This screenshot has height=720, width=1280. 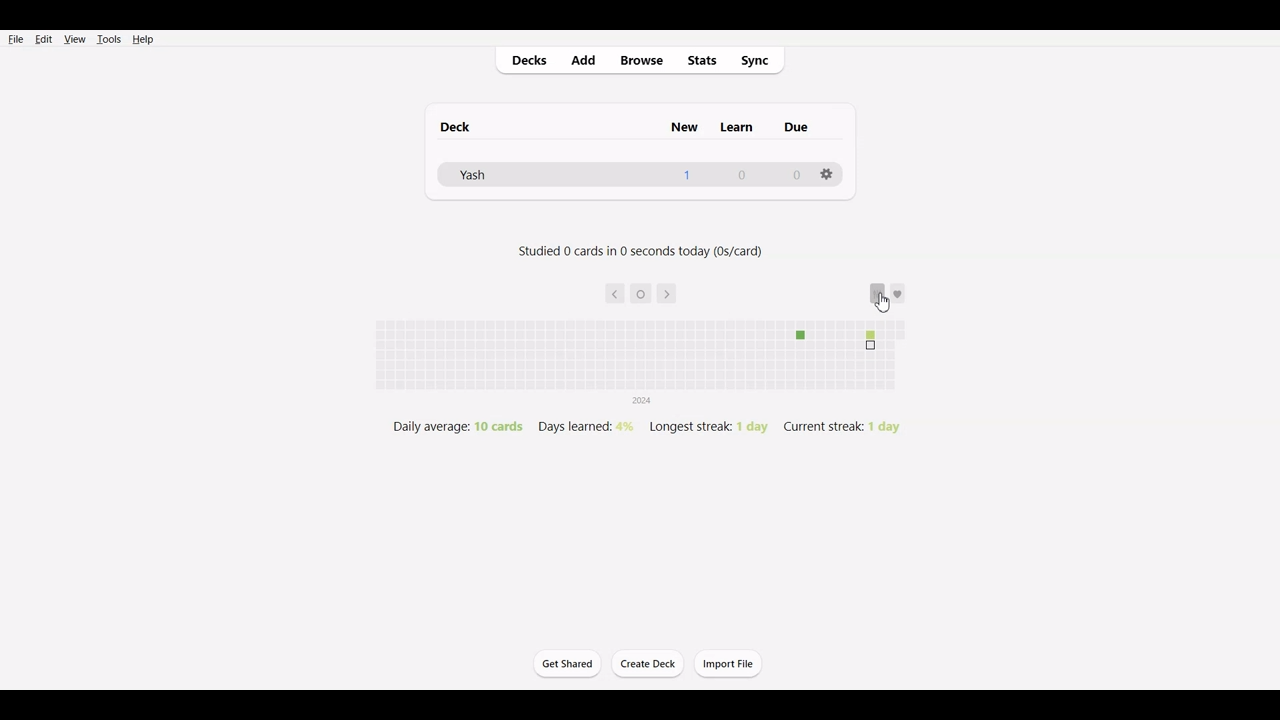 I want to click on Go back, so click(x=613, y=294).